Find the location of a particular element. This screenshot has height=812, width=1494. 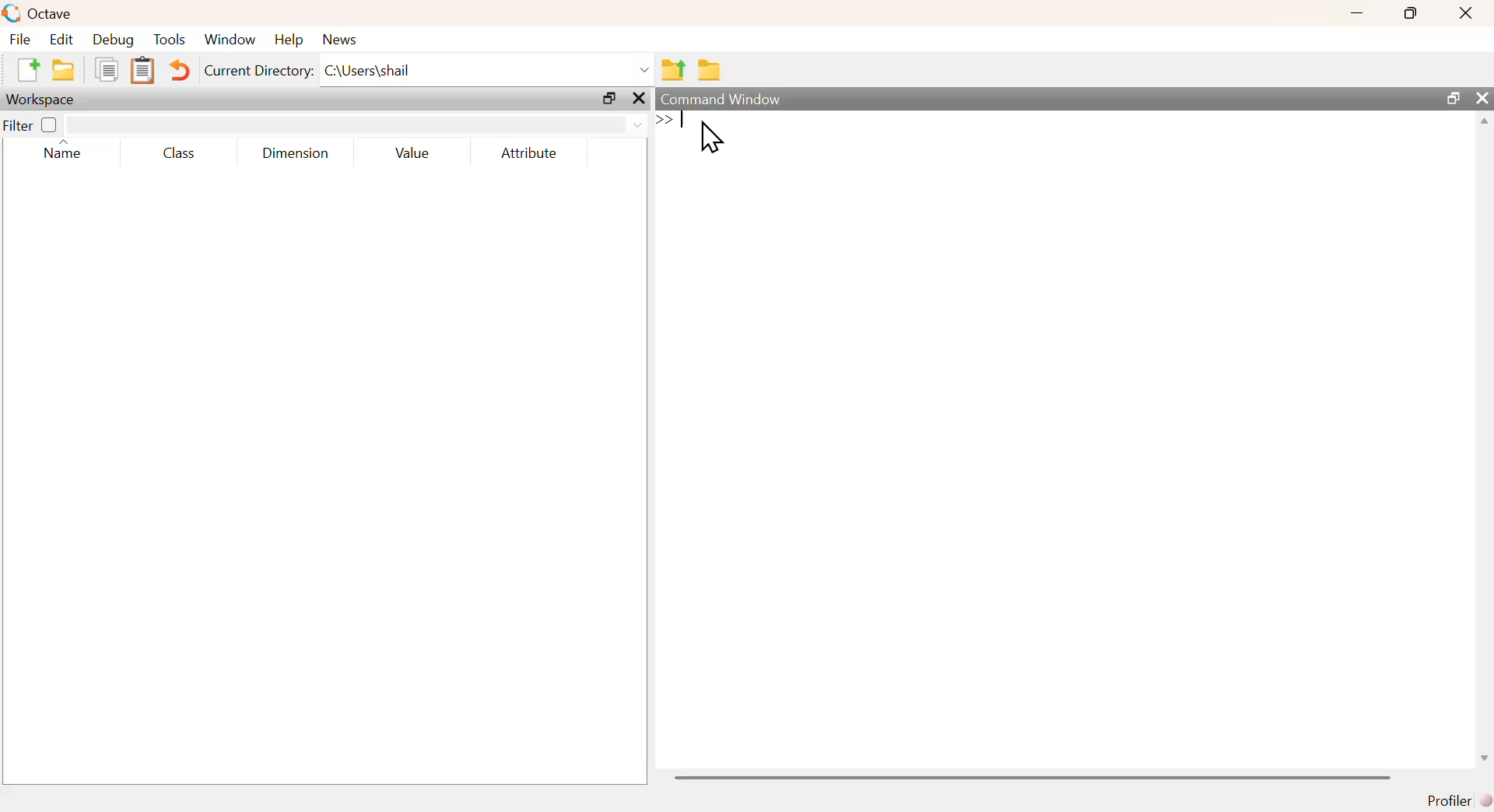

profiler is located at coordinates (1455, 800).